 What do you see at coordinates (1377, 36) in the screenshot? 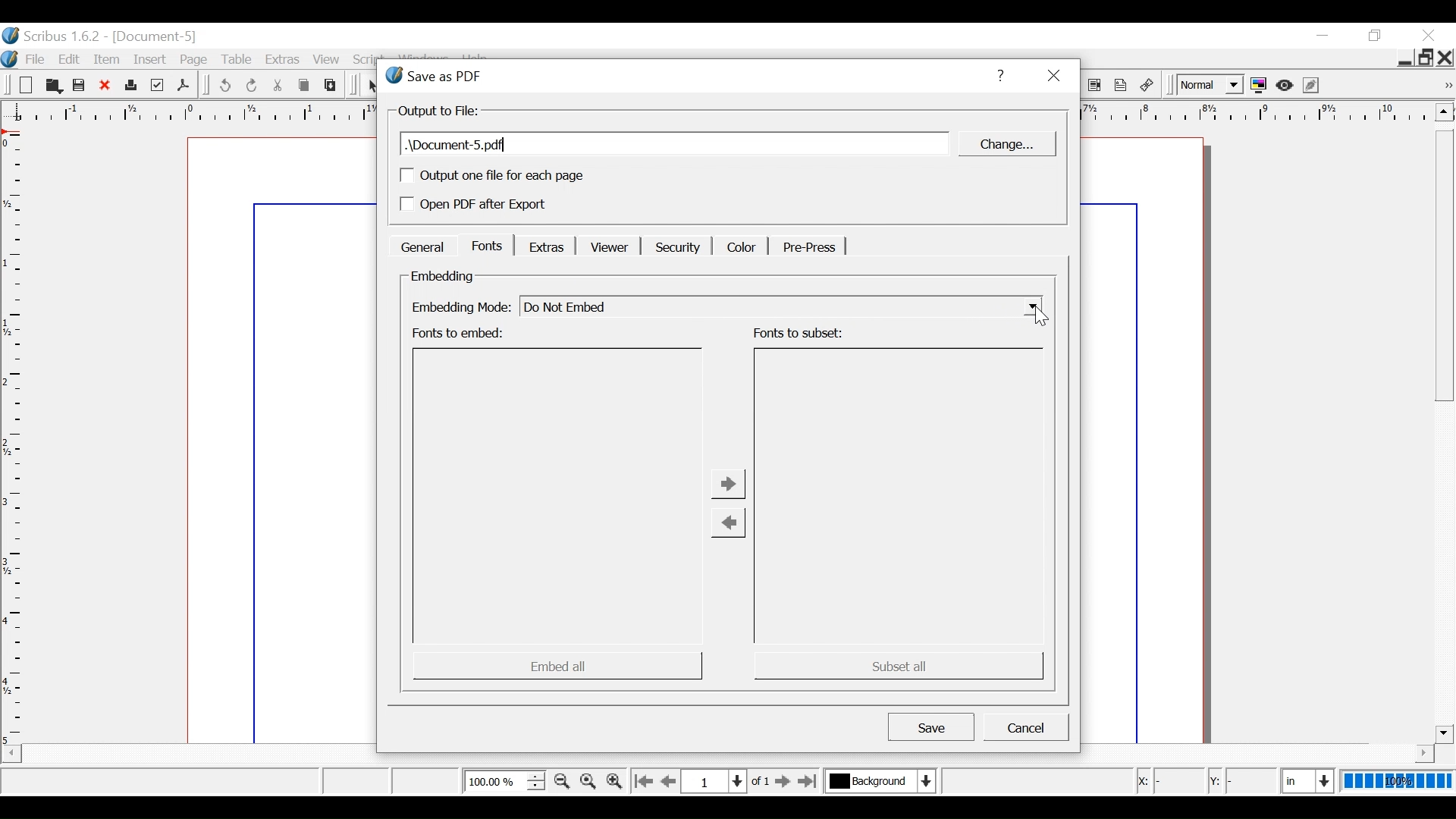
I see `minimize` at bounding box center [1377, 36].